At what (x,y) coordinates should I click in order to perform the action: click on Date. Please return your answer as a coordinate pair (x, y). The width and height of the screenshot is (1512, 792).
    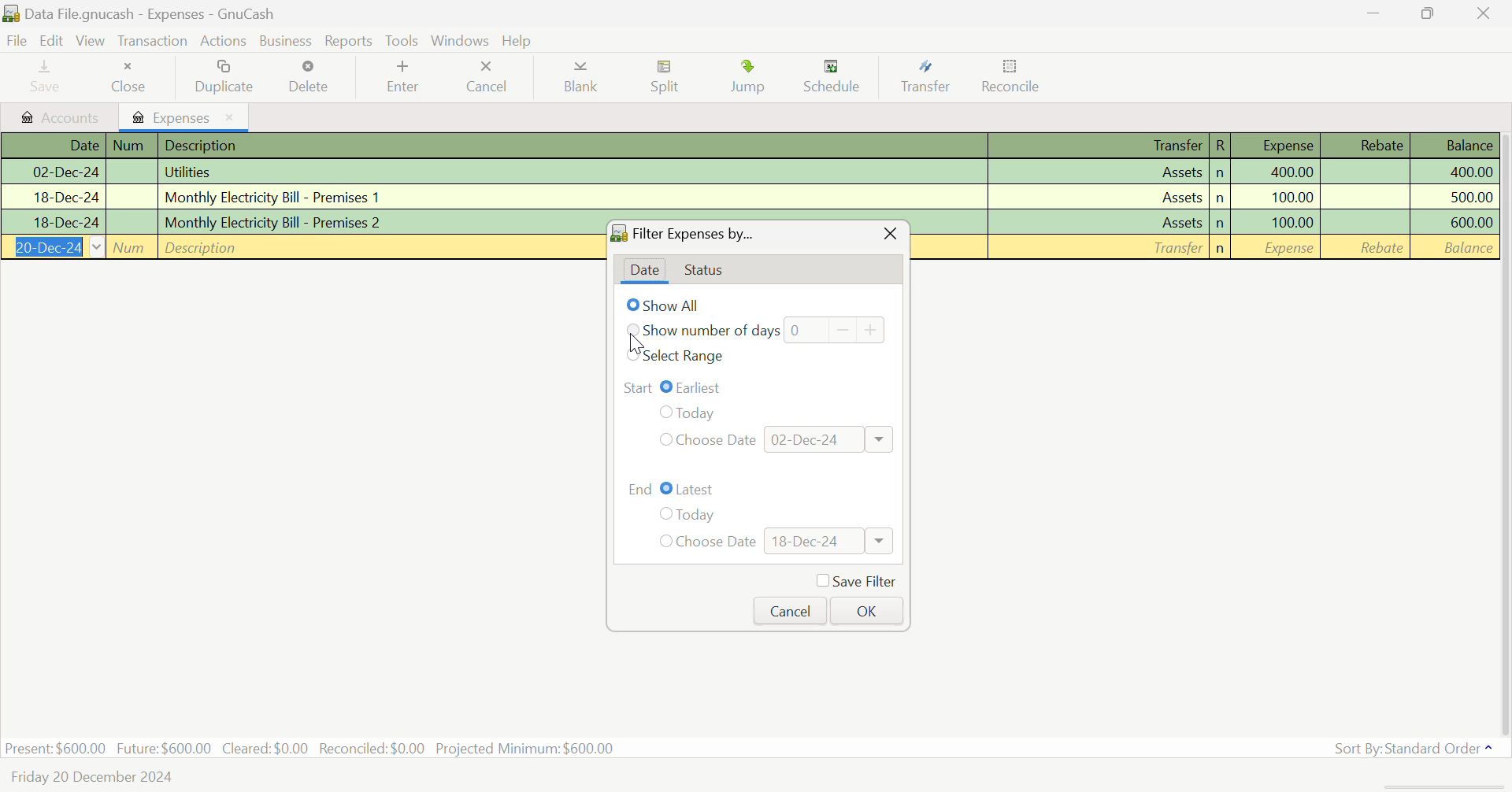
    Looking at the image, I should click on (49, 198).